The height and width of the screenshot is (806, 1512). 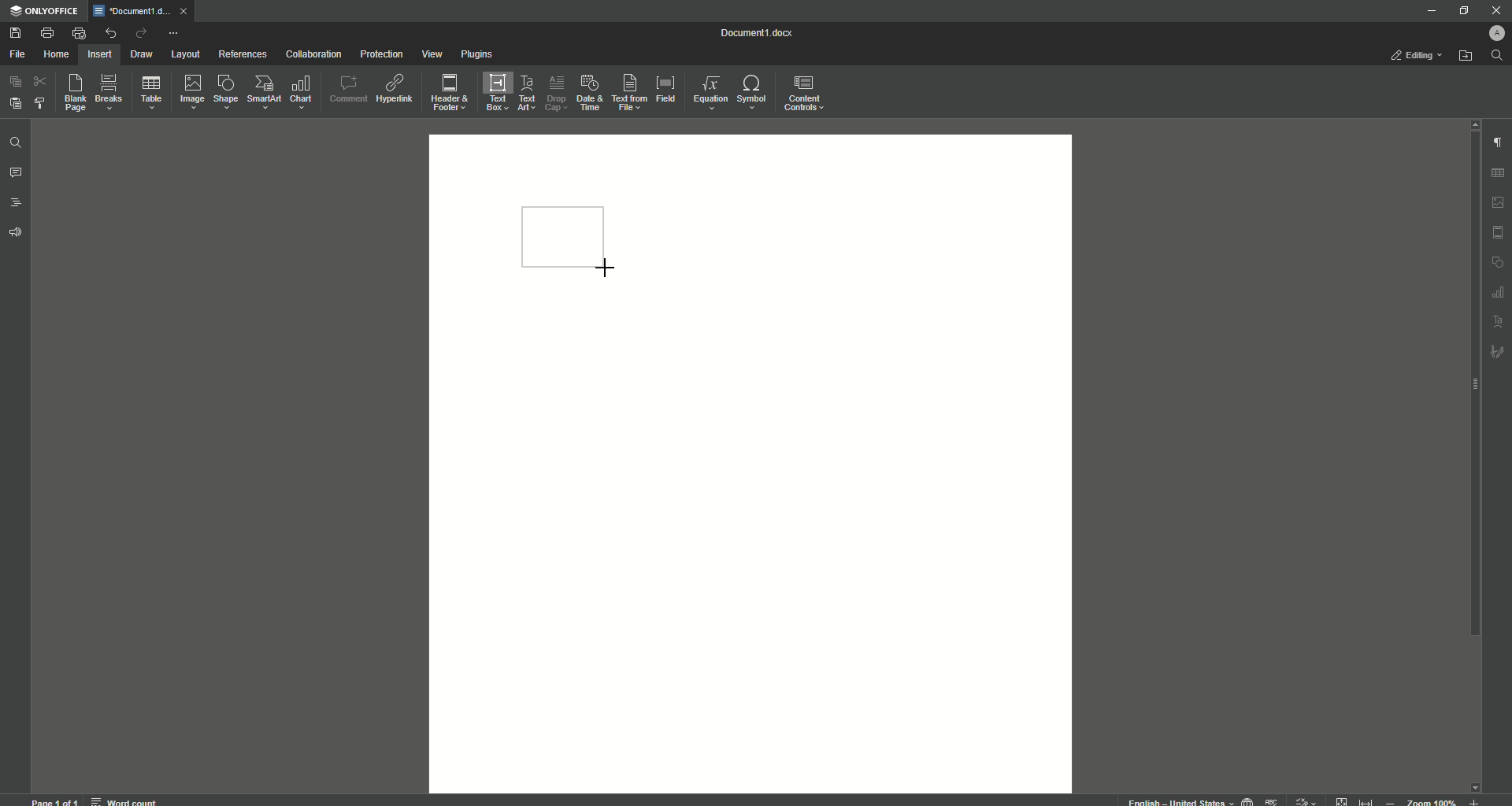 What do you see at coordinates (1495, 10) in the screenshot?
I see `Close` at bounding box center [1495, 10].